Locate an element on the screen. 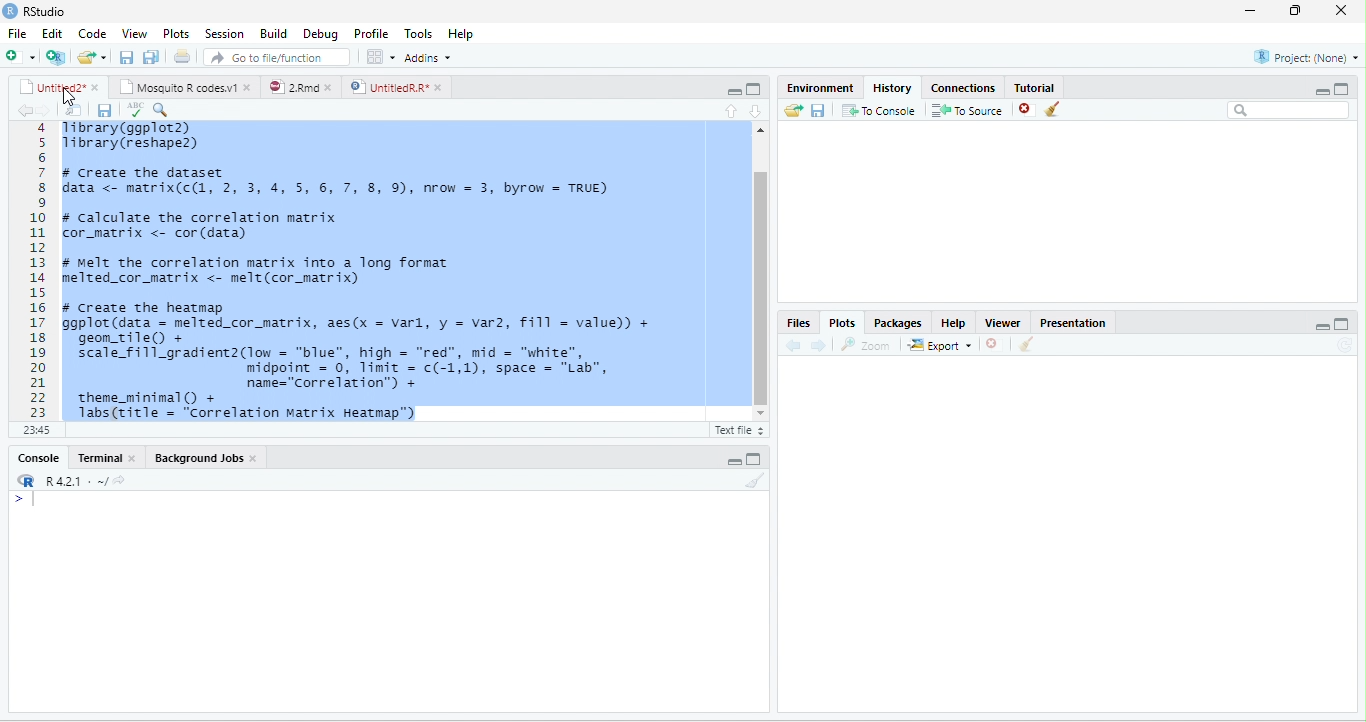  profile is located at coordinates (370, 33).